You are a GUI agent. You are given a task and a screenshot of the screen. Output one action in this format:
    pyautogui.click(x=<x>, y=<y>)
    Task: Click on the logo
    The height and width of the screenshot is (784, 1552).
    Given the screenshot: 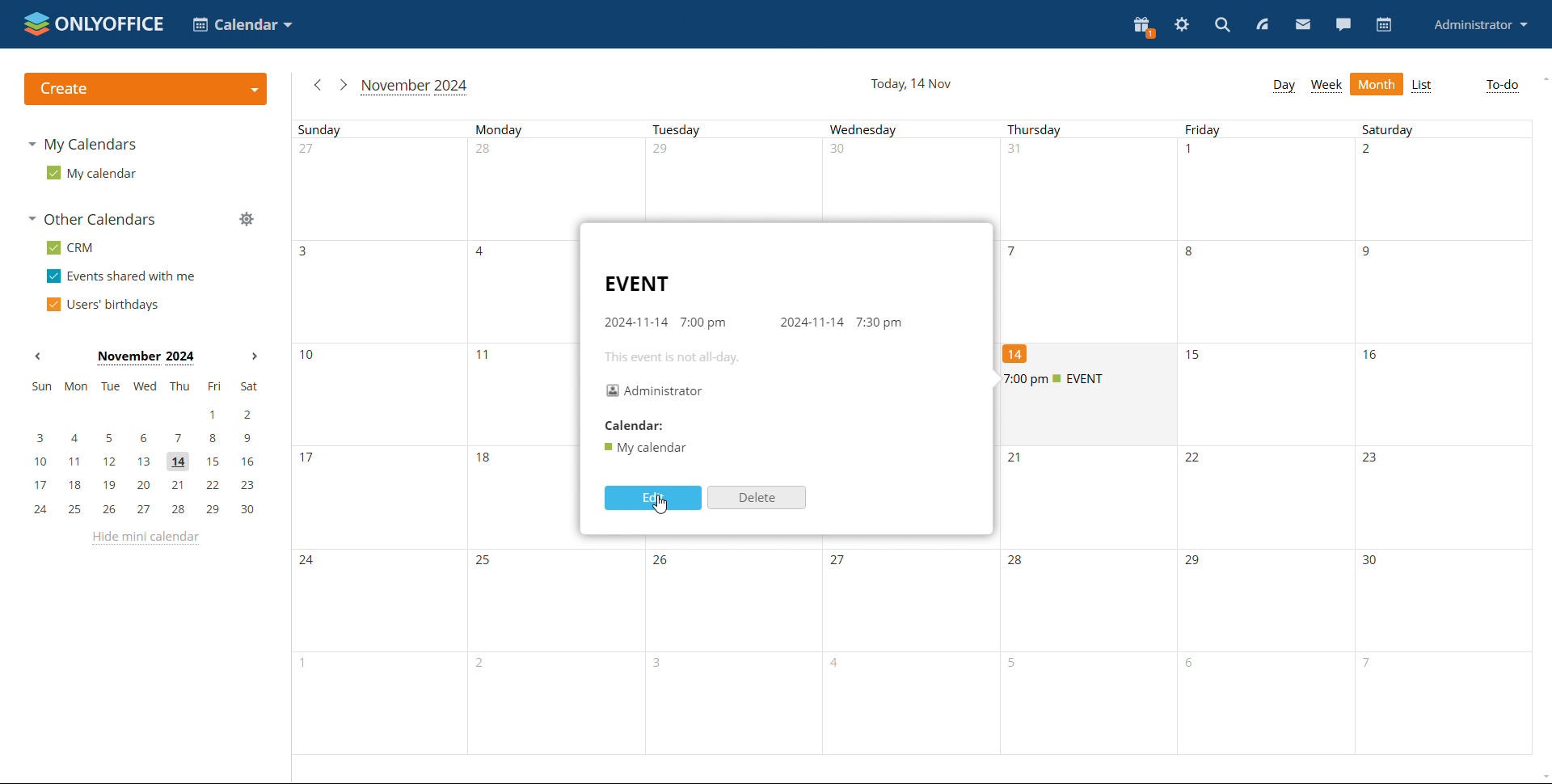 What is the action you would take?
    pyautogui.click(x=94, y=24)
    